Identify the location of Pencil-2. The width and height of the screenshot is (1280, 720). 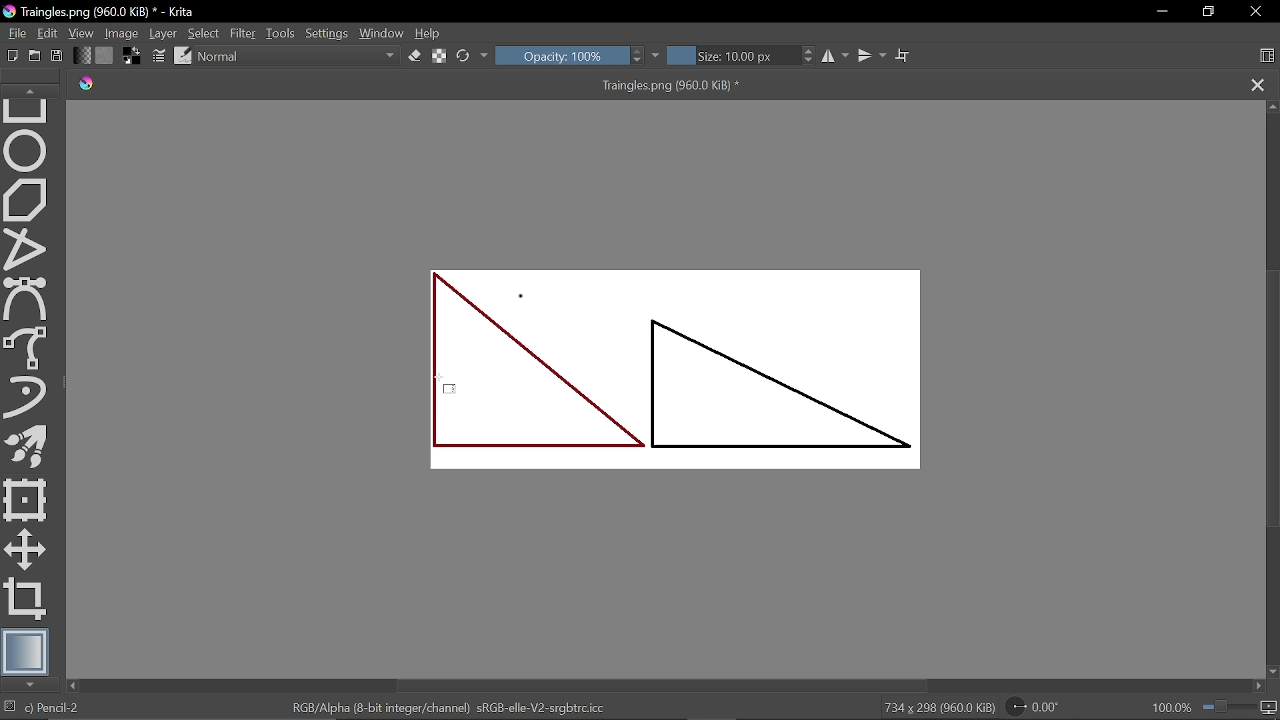
(74, 708).